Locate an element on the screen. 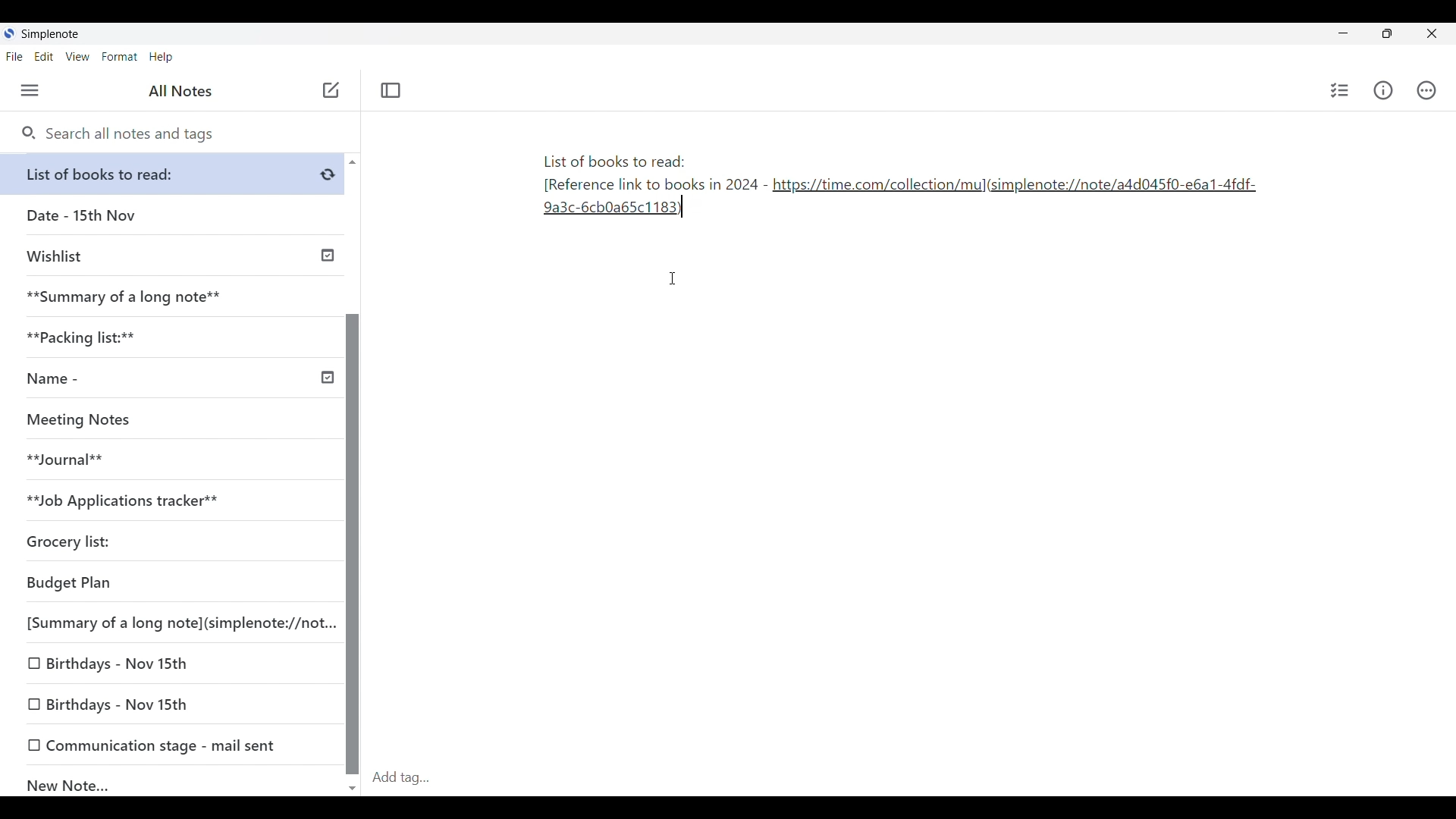 The height and width of the screenshot is (819, 1456). Budget Plan is located at coordinates (170, 584).